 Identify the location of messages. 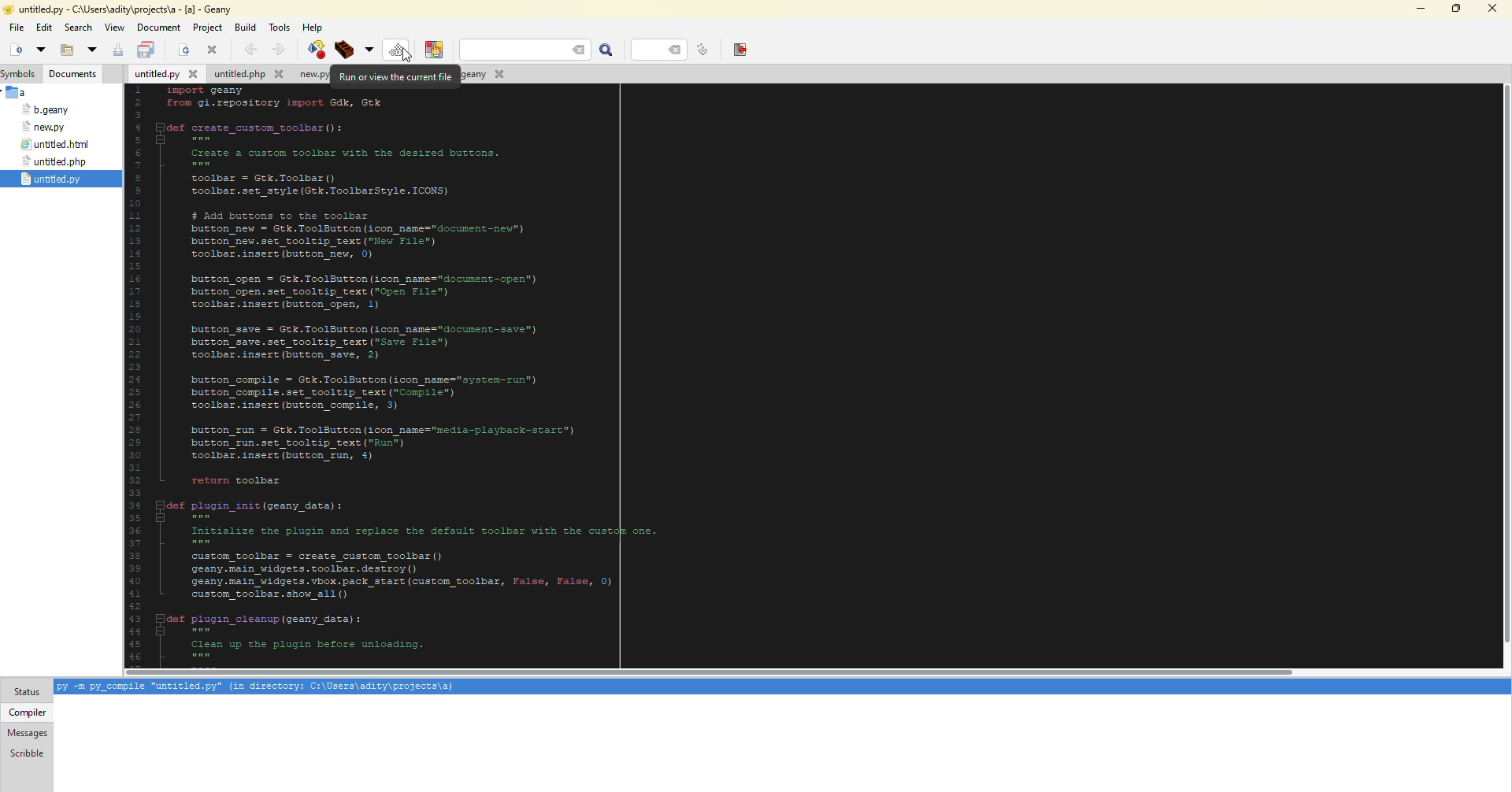
(29, 732).